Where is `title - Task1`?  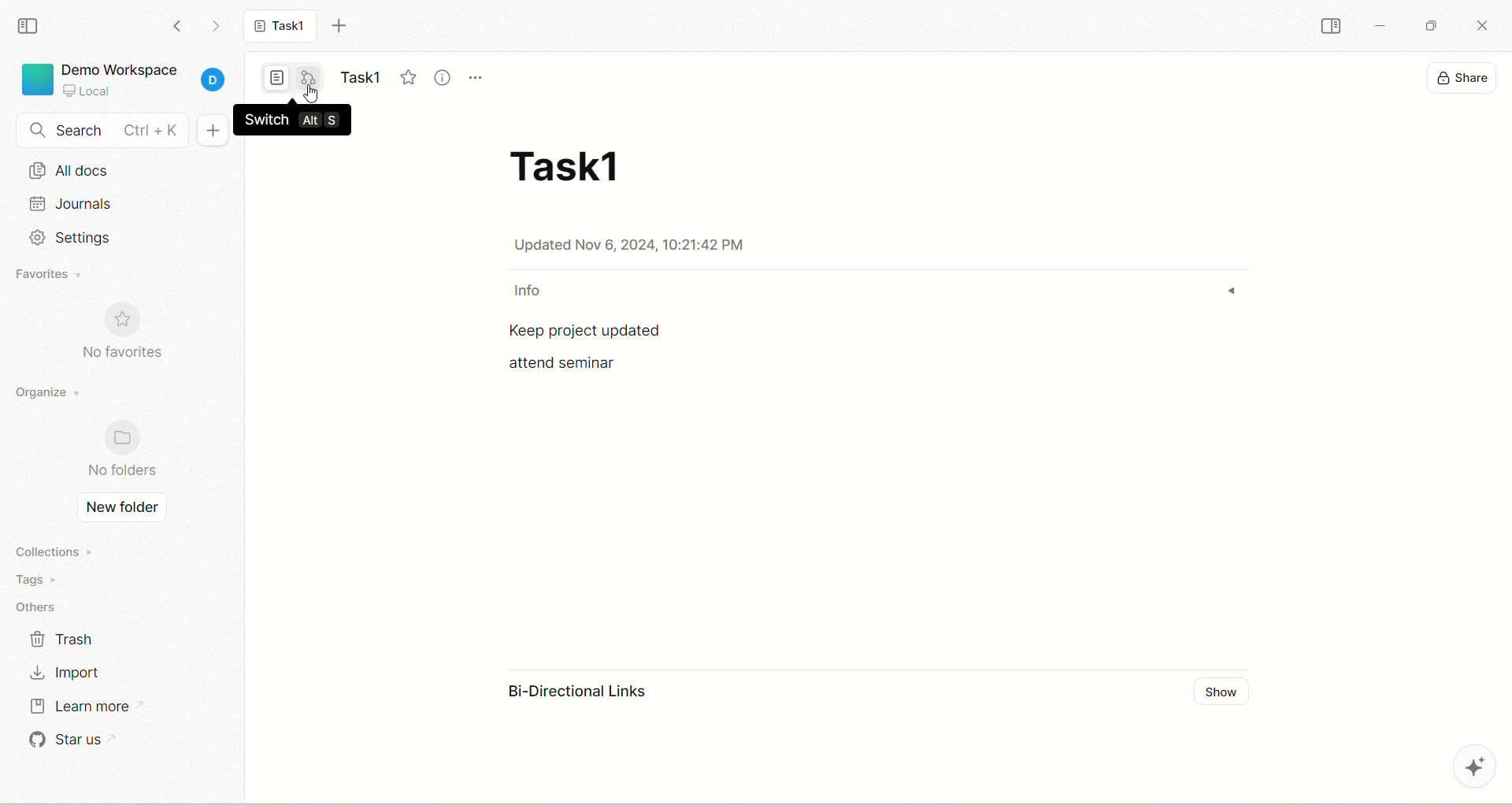 title - Task1 is located at coordinates (541, 165).